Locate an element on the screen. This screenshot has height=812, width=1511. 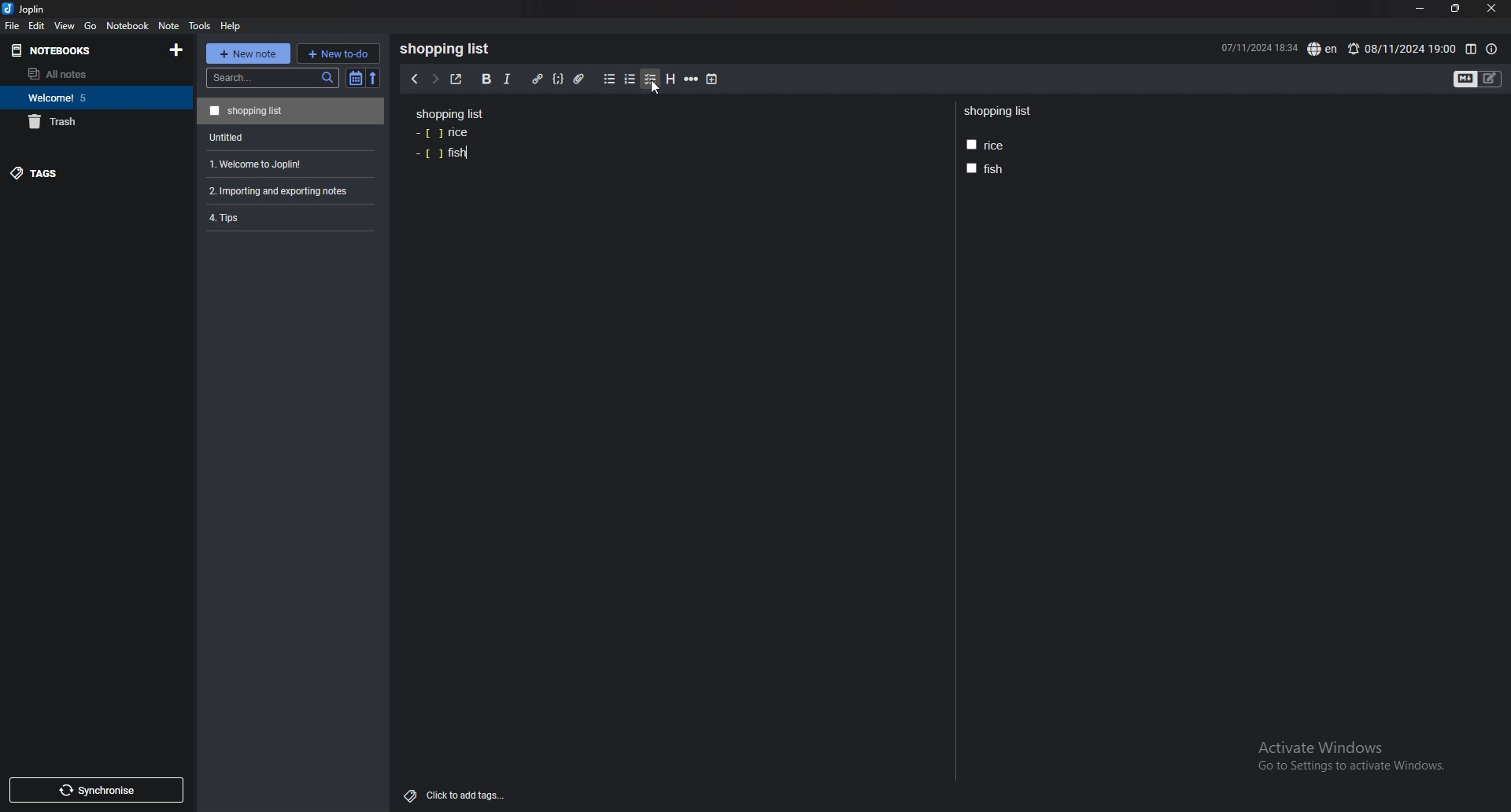
fish is located at coordinates (984, 168).